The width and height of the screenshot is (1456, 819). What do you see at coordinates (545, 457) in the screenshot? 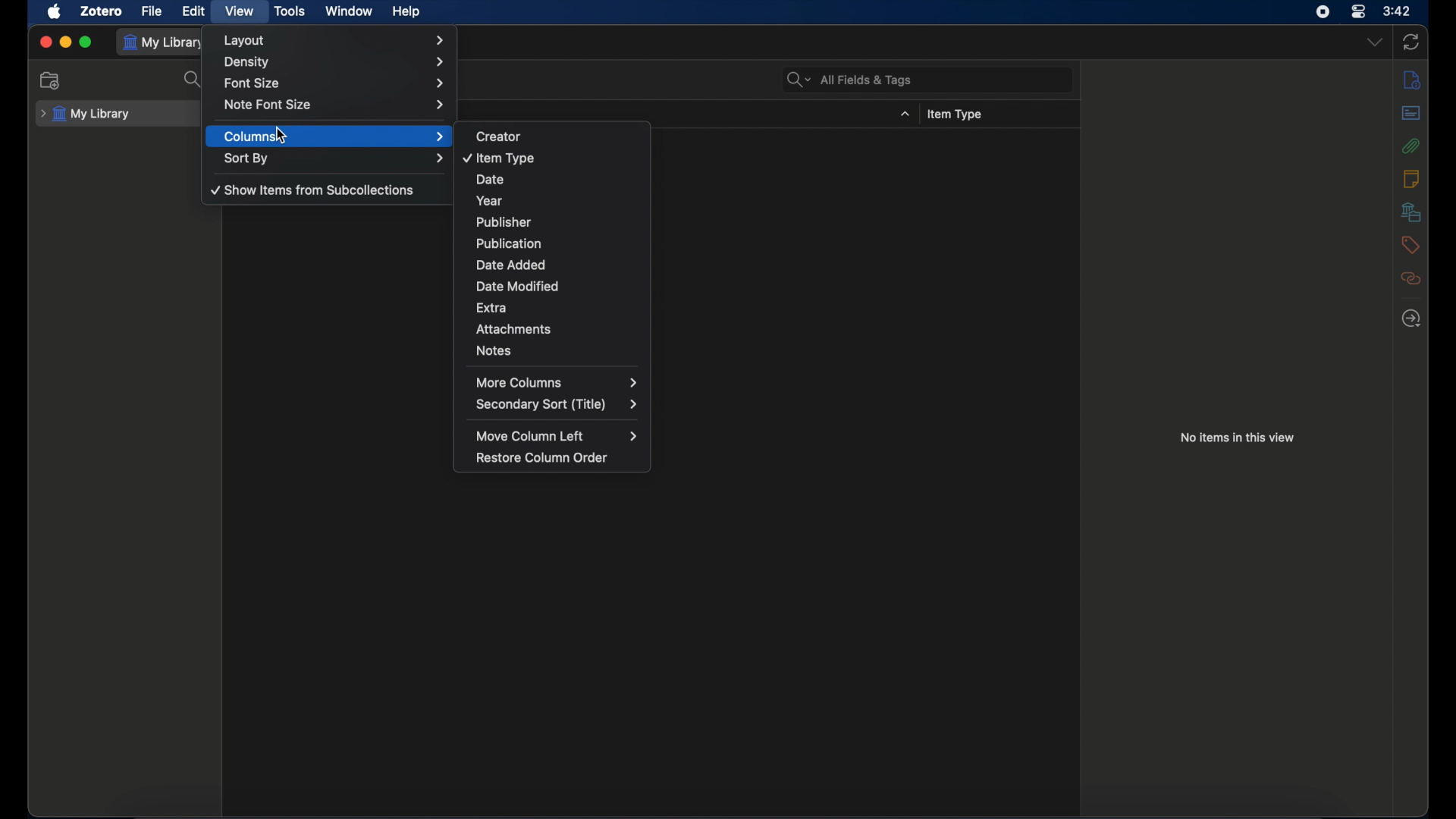
I see `restore column order` at bounding box center [545, 457].